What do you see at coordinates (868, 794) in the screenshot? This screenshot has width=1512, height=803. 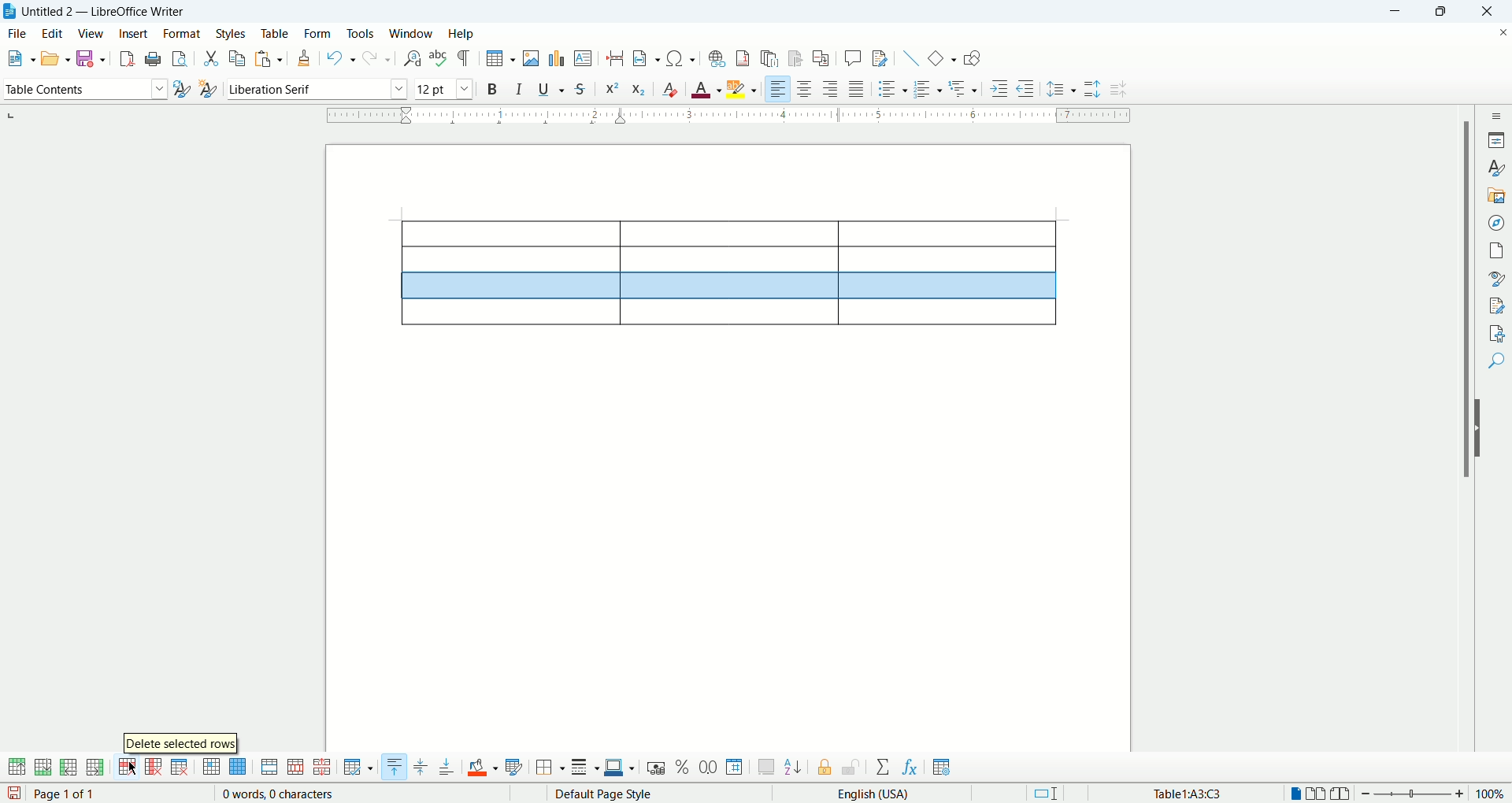 I see `english (USA)` at bounding box center [868, 794].